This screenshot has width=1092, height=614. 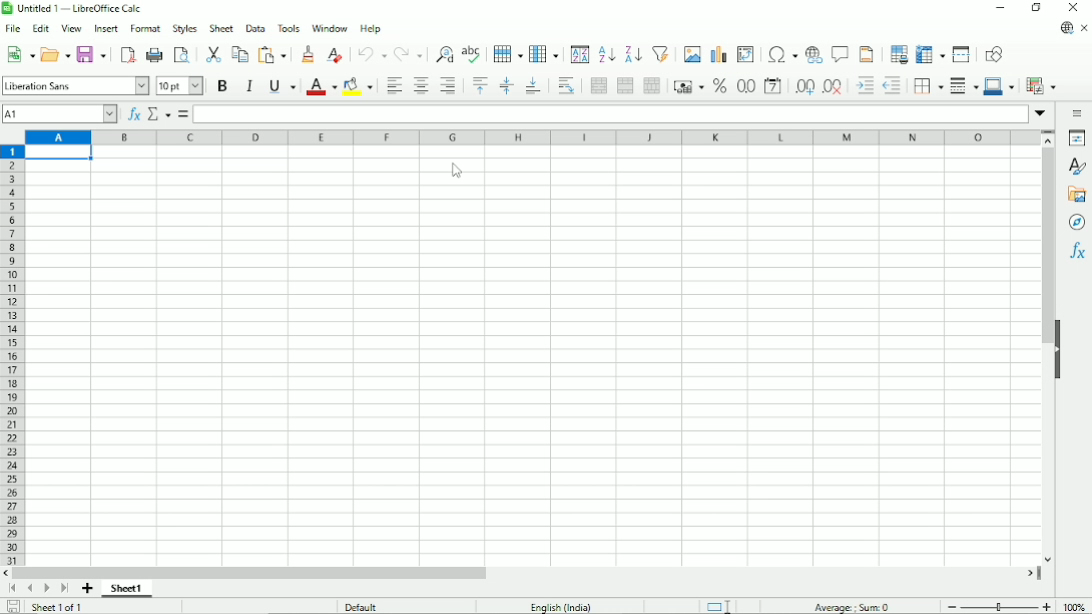 What do you see at coordinates (281, 85) in the screenshot?
I see `Underline` at bounding box center [281, 85].